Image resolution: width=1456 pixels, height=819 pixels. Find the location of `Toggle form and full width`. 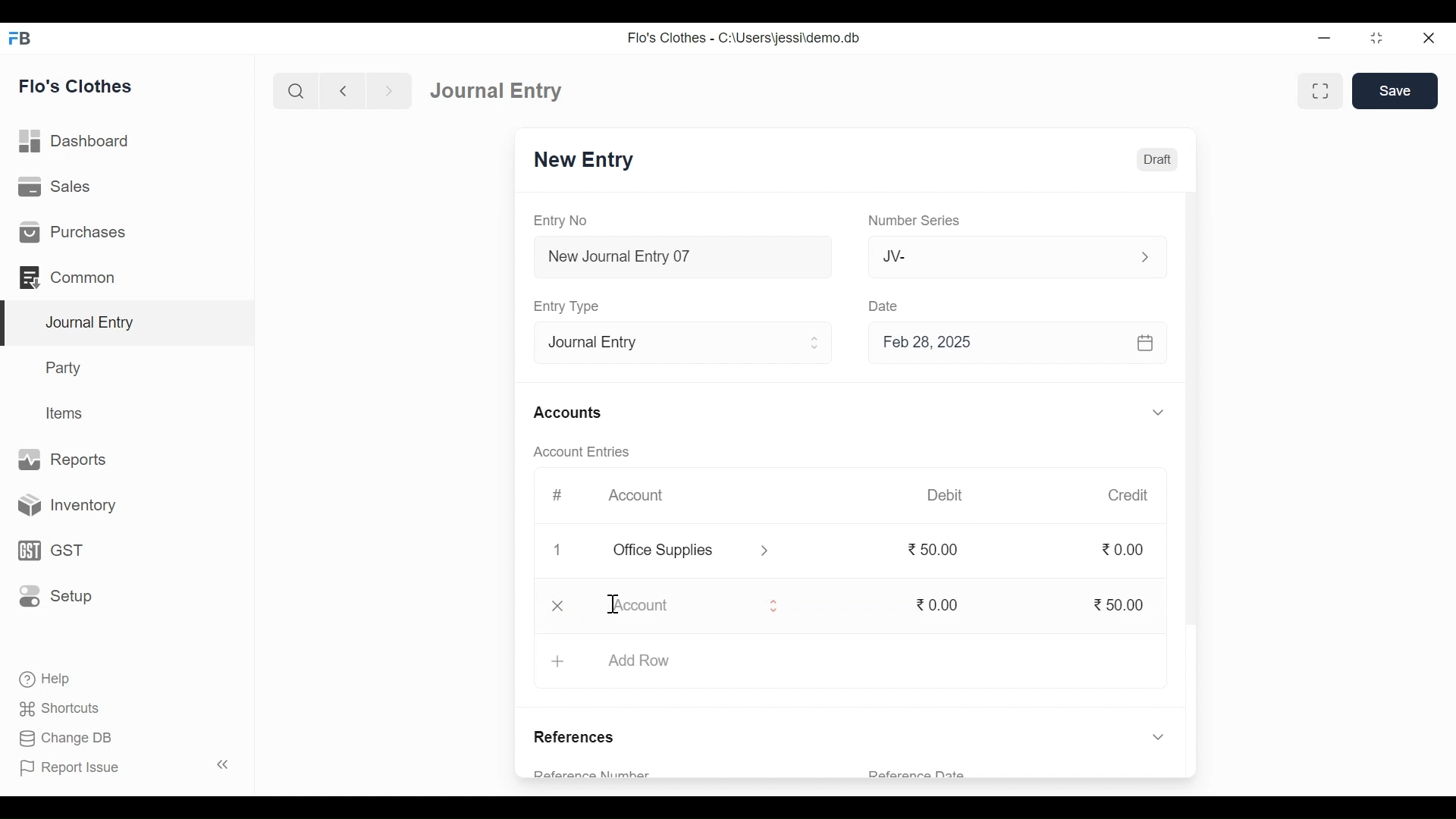

Toggle form and full width is located at coordinates (1320, 92).